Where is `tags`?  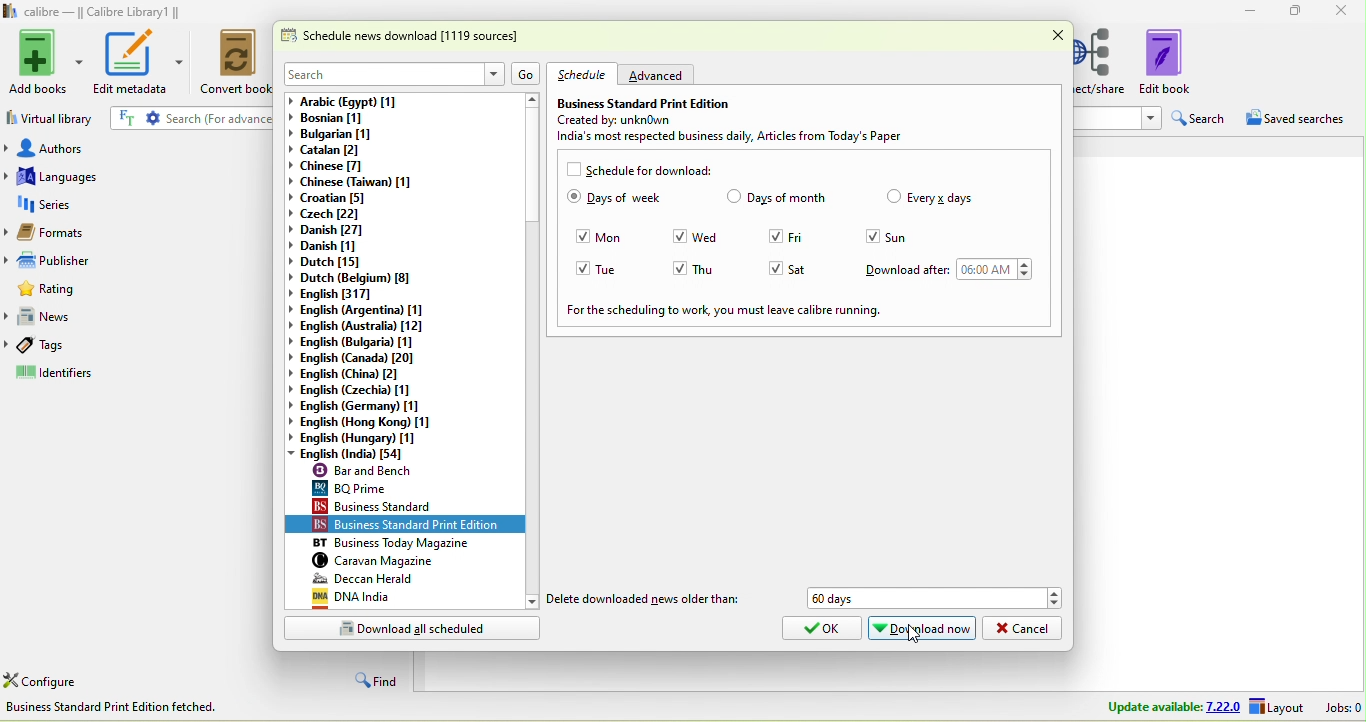
tags is located at coordinates (140, 349).